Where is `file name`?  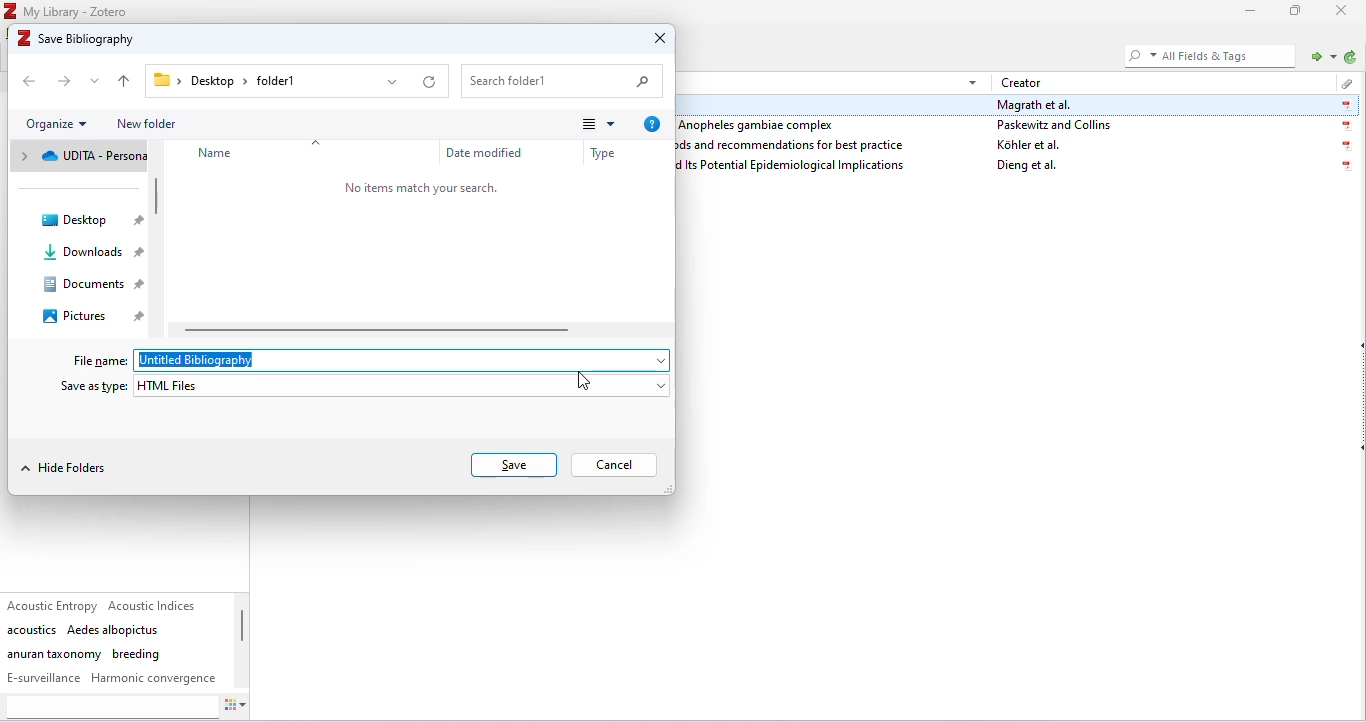
file name is located at coordinates (100, 360).